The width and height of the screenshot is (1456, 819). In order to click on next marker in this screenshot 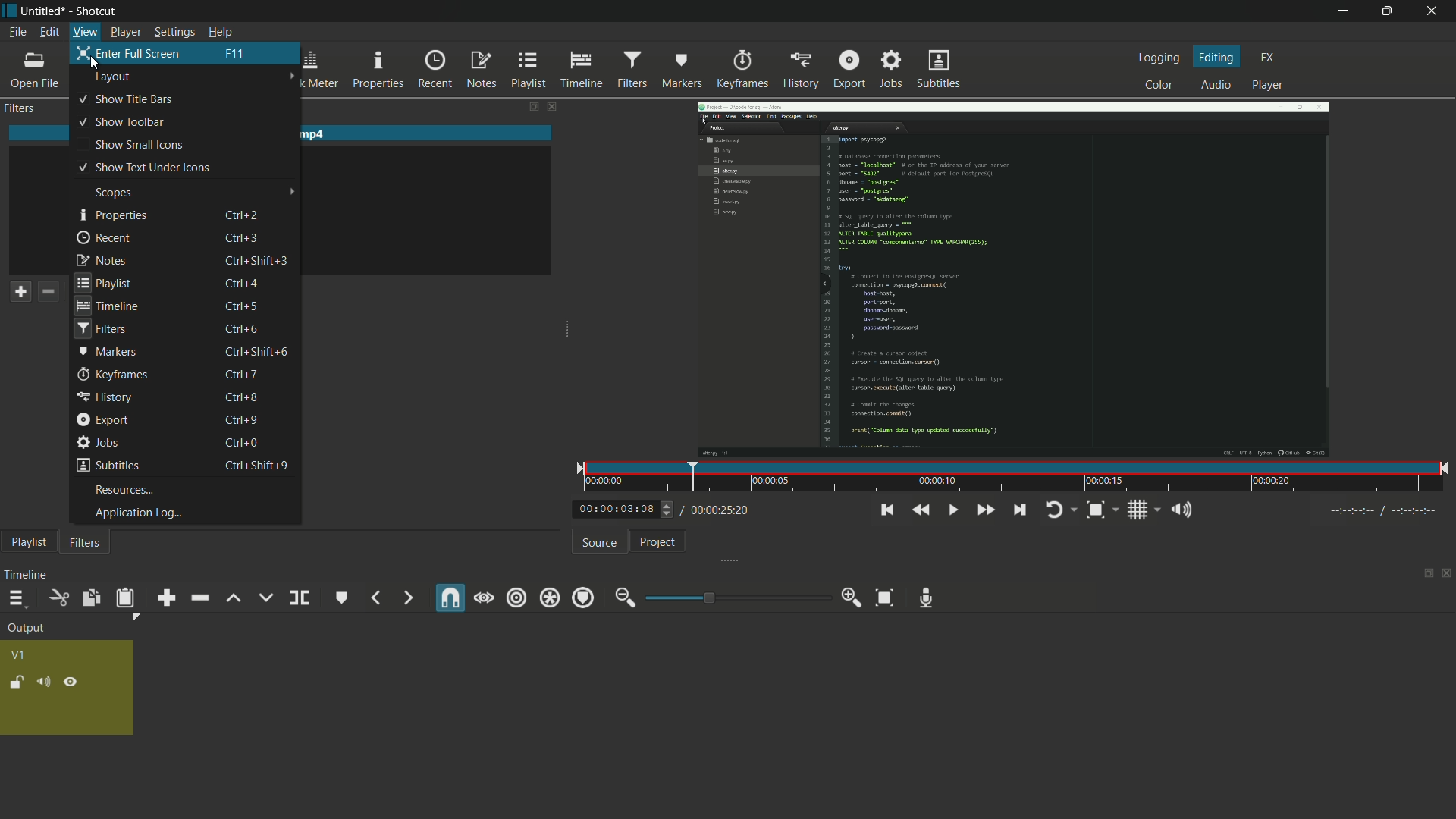, I will do `click(405, 598)`.